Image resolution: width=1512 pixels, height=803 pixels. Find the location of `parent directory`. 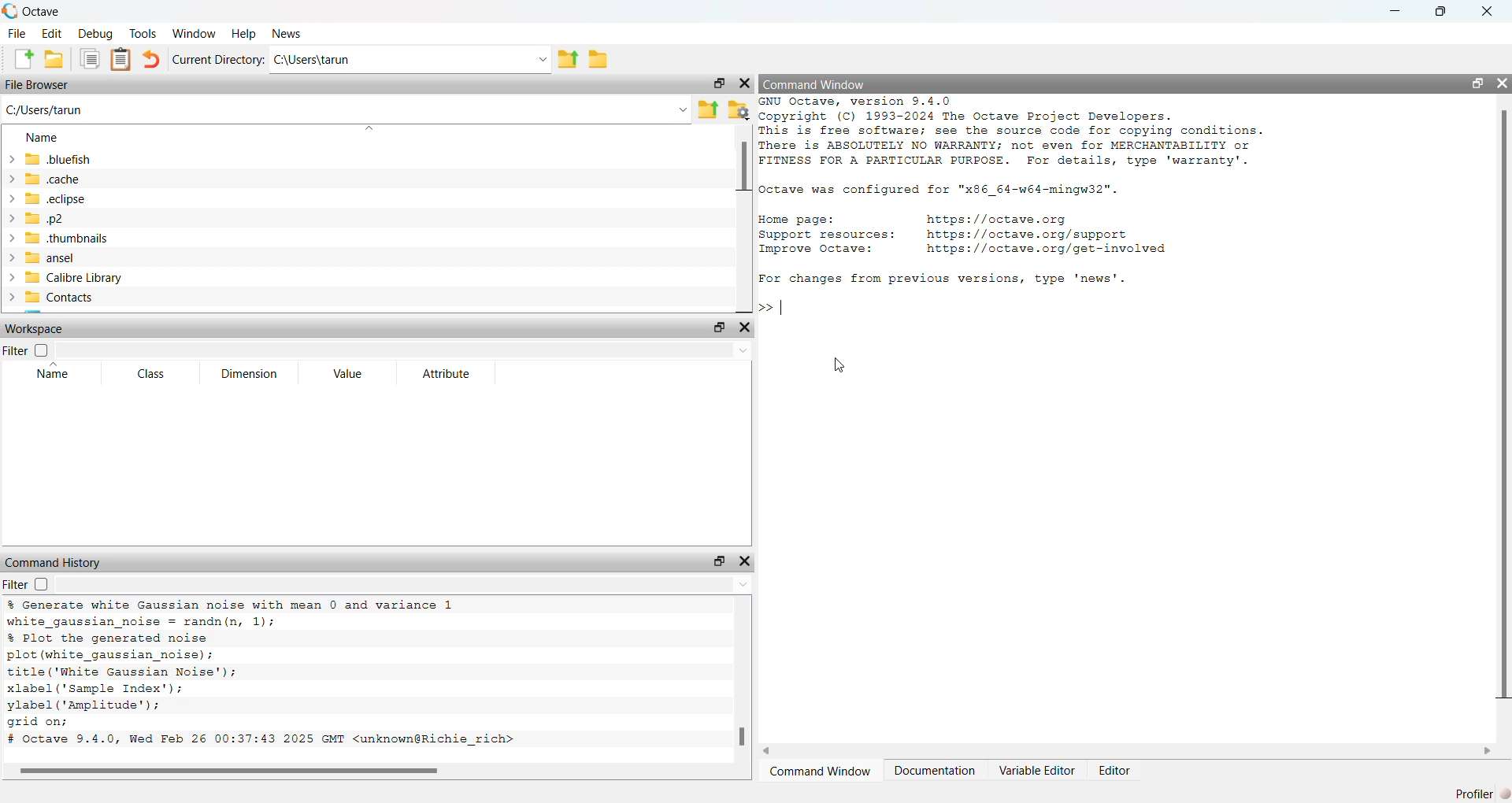

parent directory is located at coordinates (710, 112).